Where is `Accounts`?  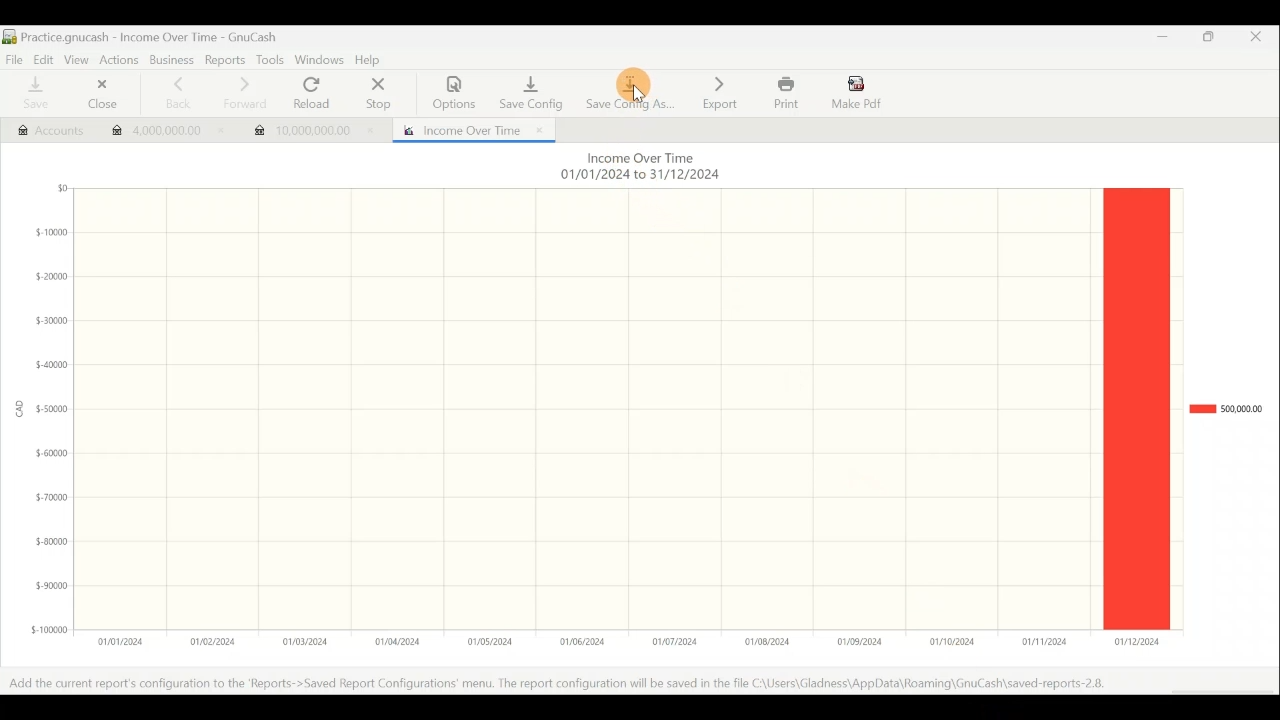
Accounts is located at coordinates (41, 128).